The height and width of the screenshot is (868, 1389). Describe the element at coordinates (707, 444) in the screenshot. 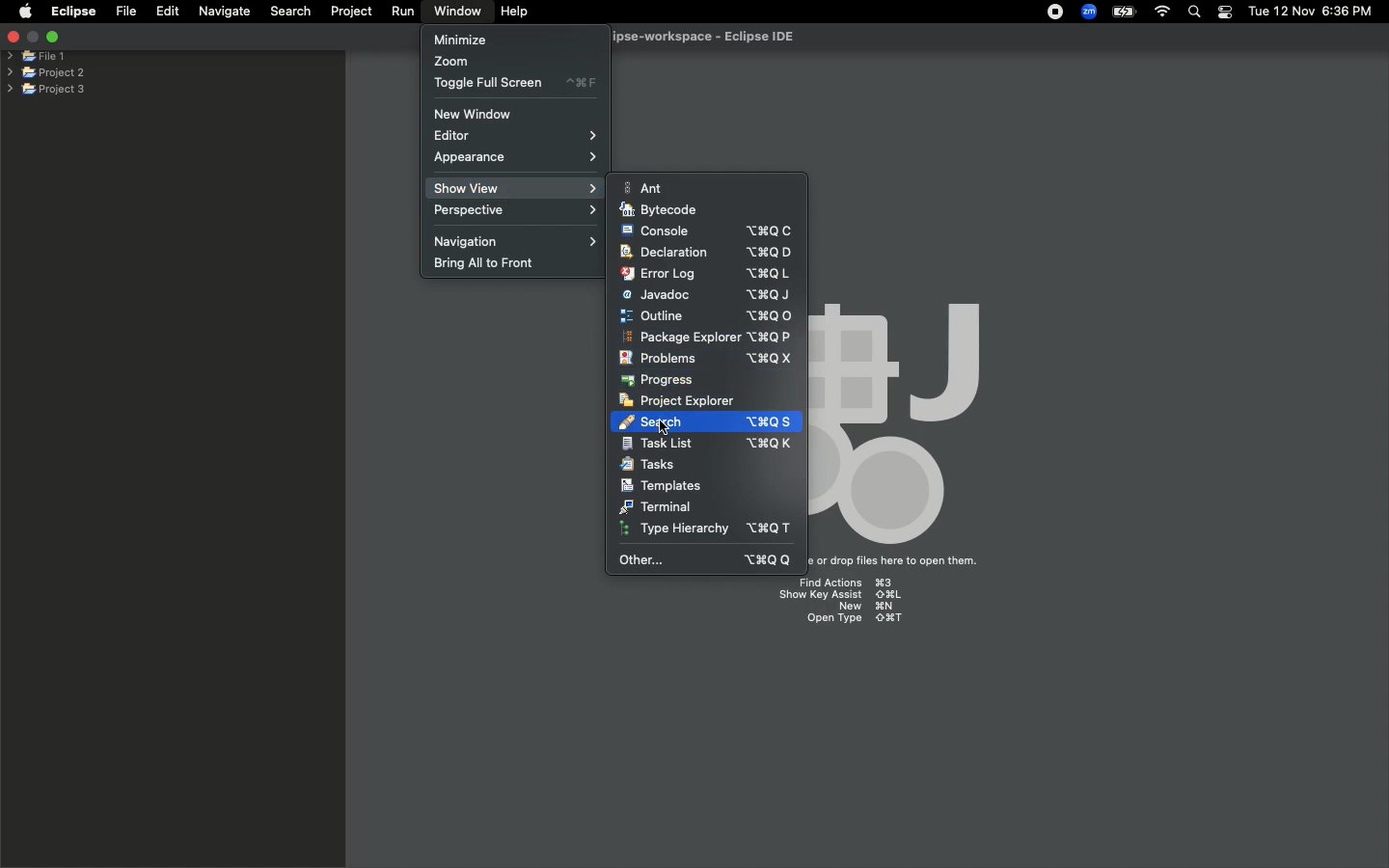

I see `Task list` at that location.